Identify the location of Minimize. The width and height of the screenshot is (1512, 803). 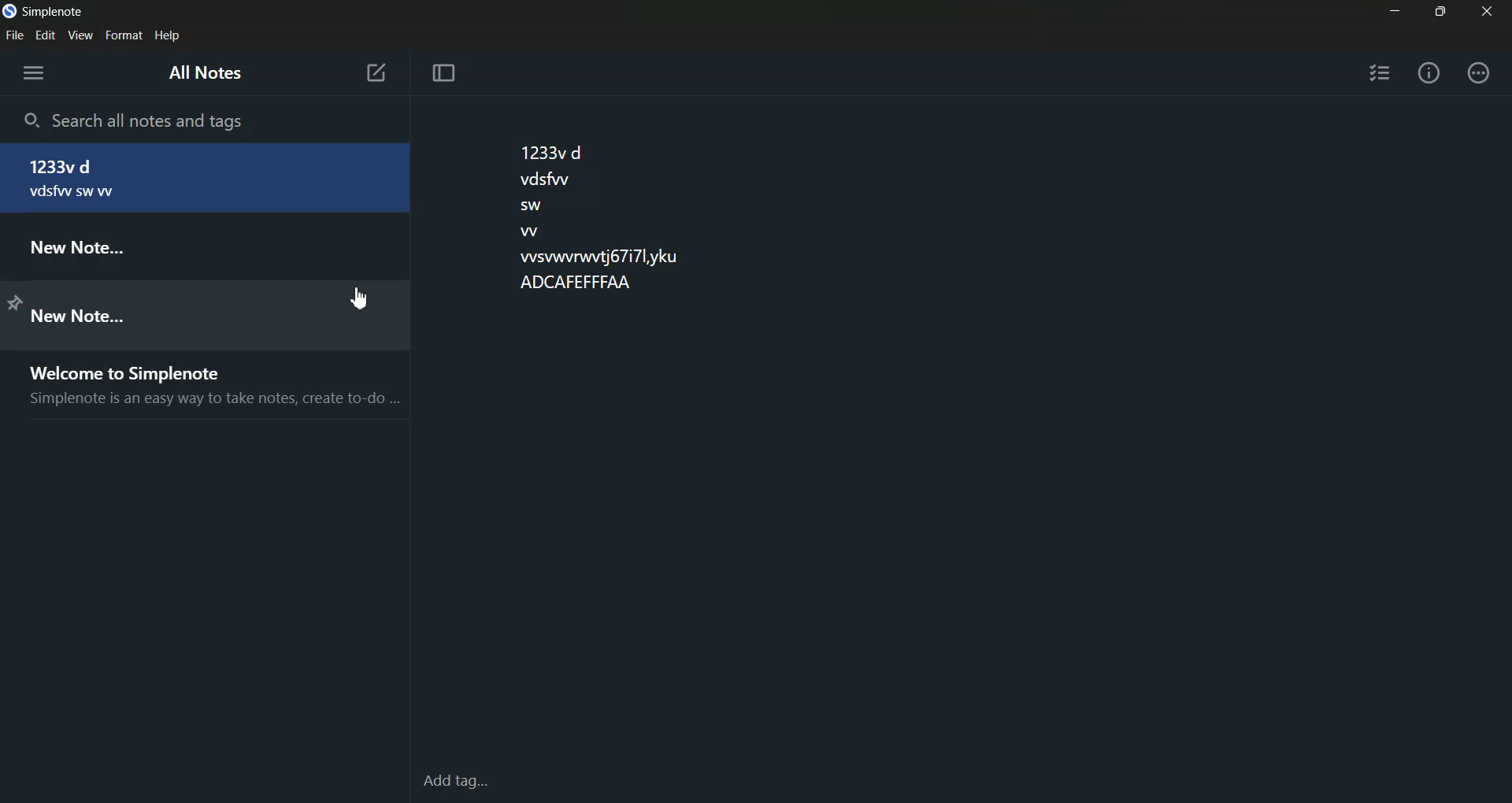
(1394, 9).